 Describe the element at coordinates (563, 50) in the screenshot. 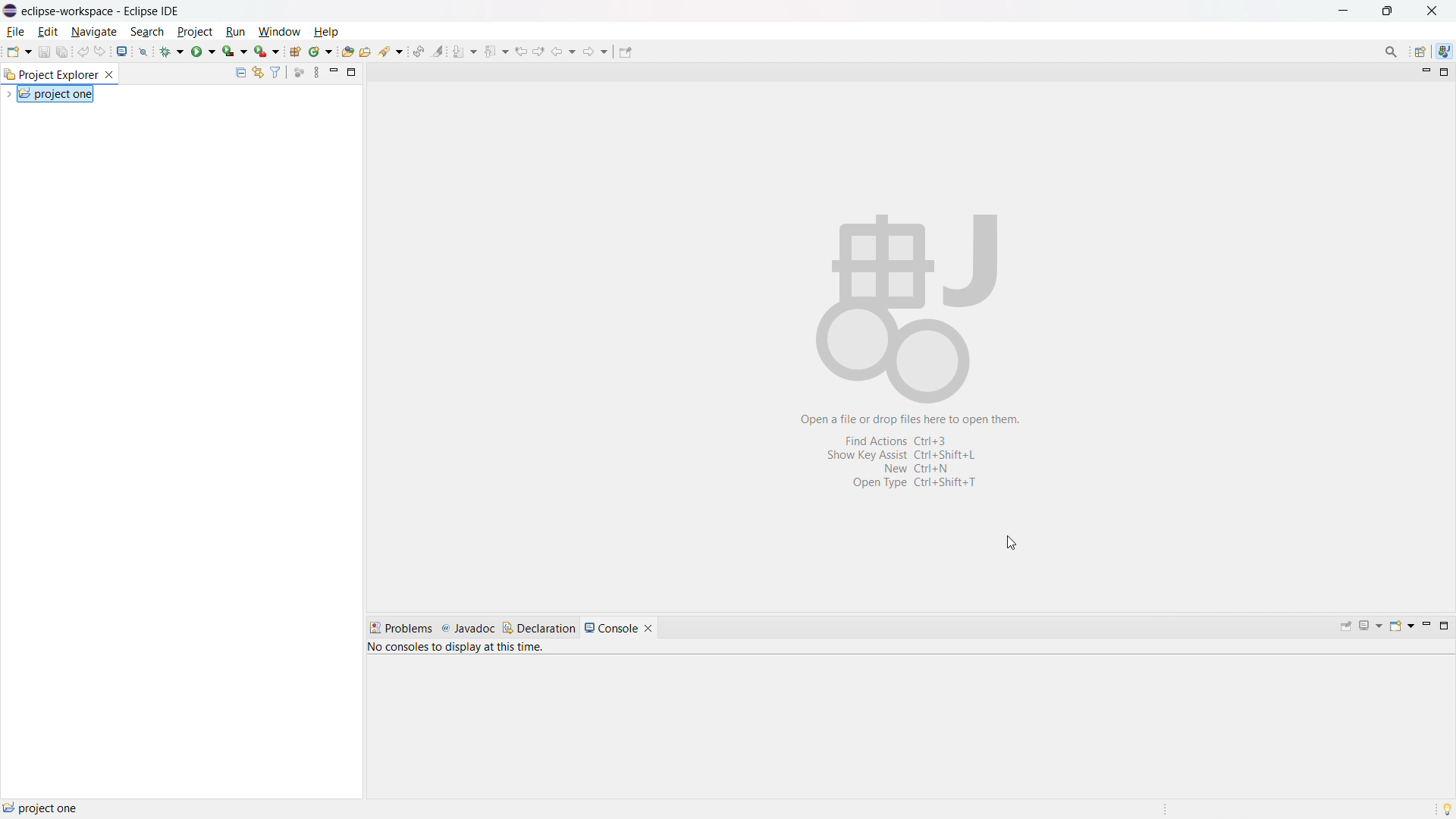

I see `back` at that location.